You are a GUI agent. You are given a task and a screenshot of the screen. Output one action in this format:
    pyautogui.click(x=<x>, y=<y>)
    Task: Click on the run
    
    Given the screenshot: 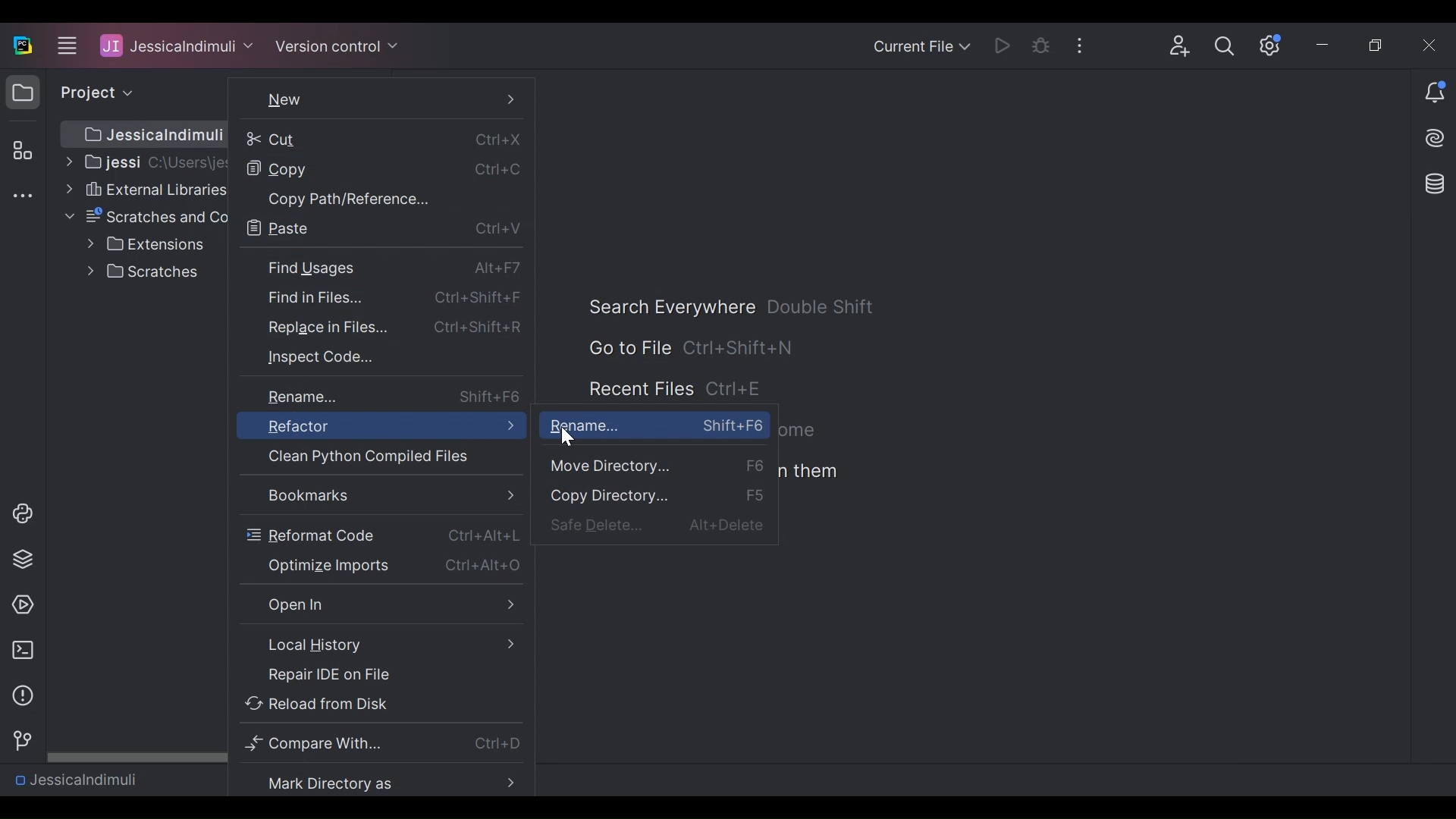 What is the action you would take?
    pyautogui.click(x=19, y=605)
    